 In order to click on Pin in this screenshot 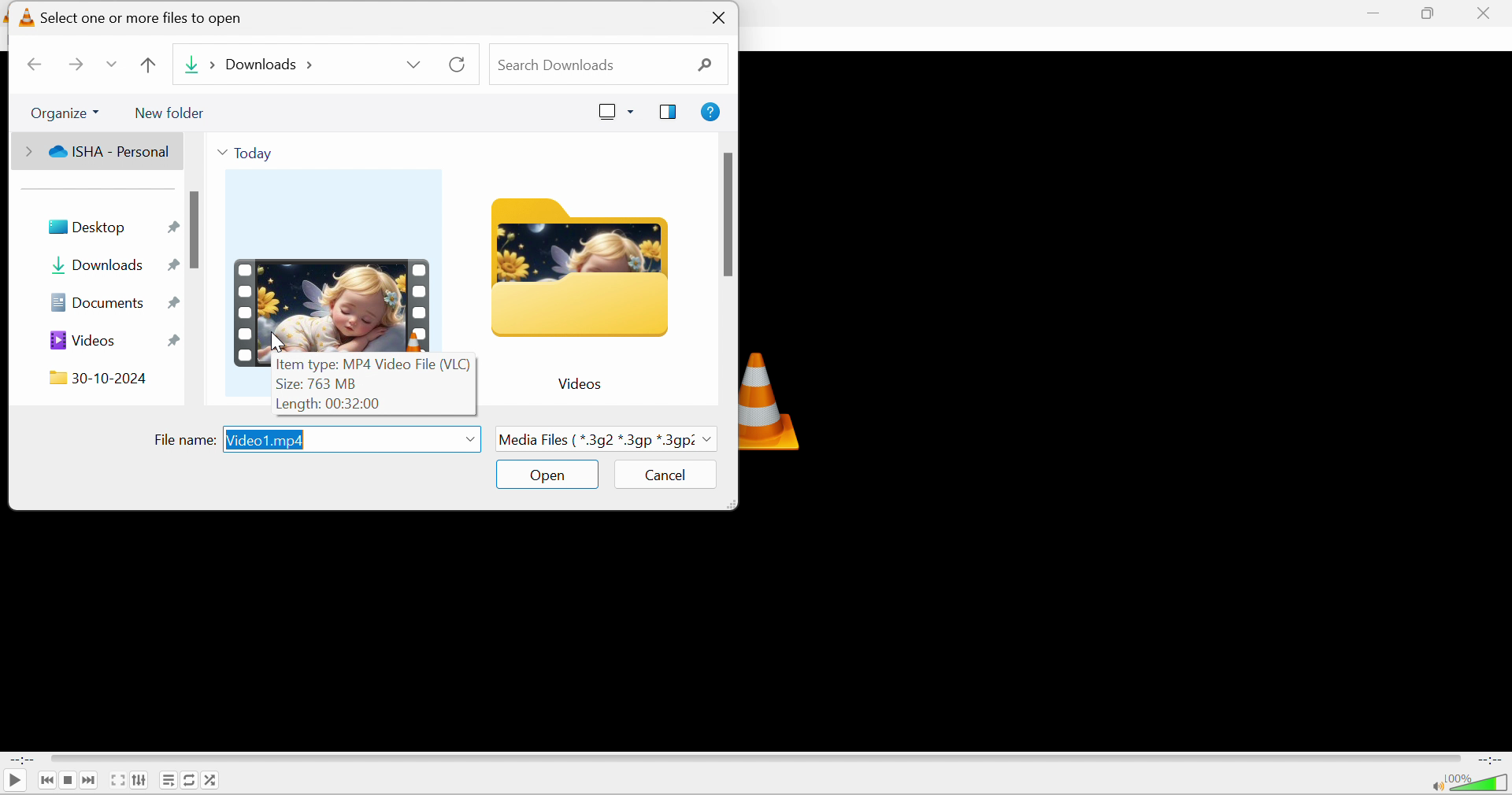, I will do `click(176, 301)`.